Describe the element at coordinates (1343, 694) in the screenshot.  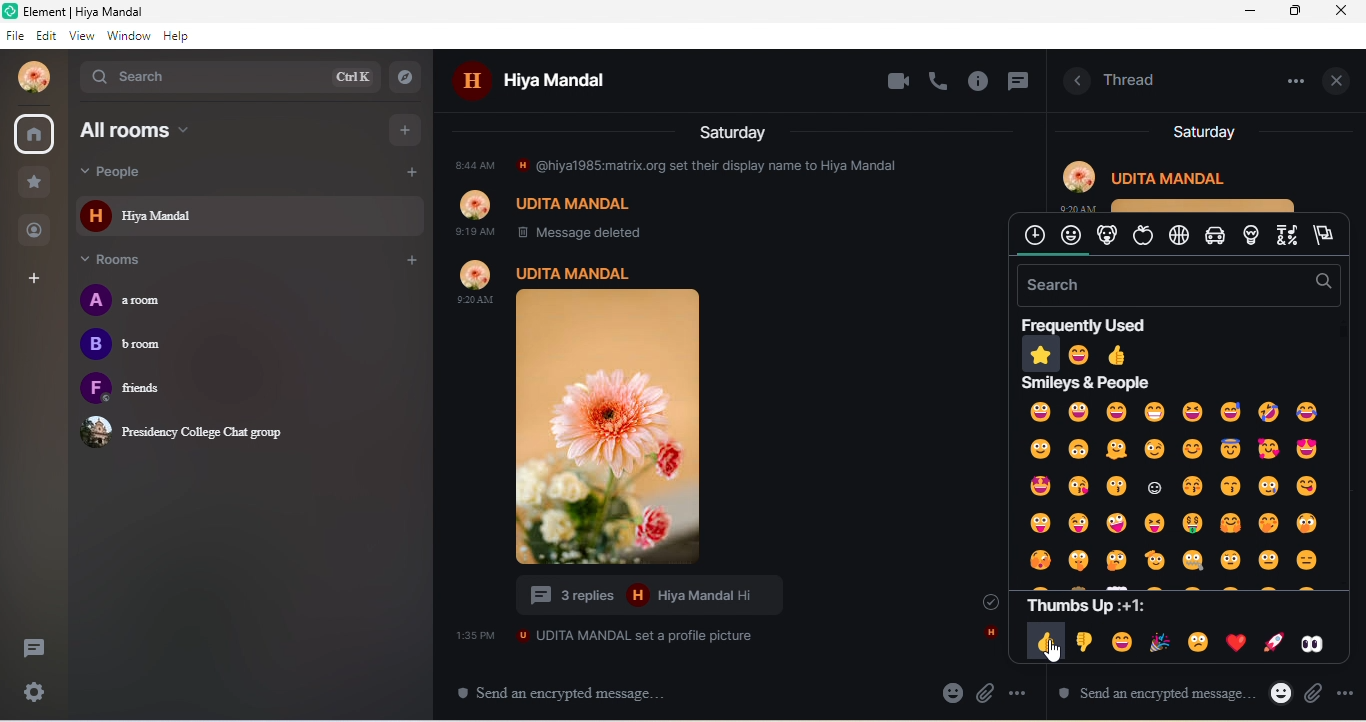
I see `send button` at that location.